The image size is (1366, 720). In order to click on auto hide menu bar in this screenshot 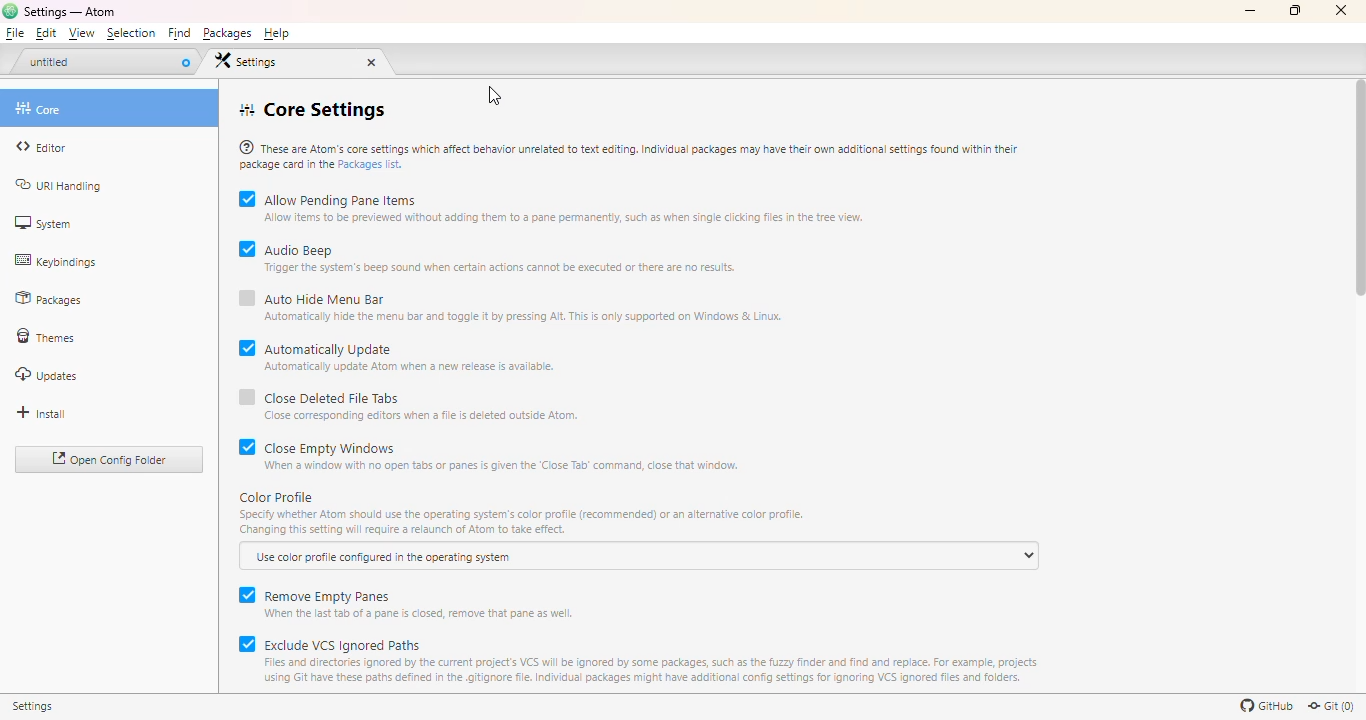, I will do `click(525, 305)`.